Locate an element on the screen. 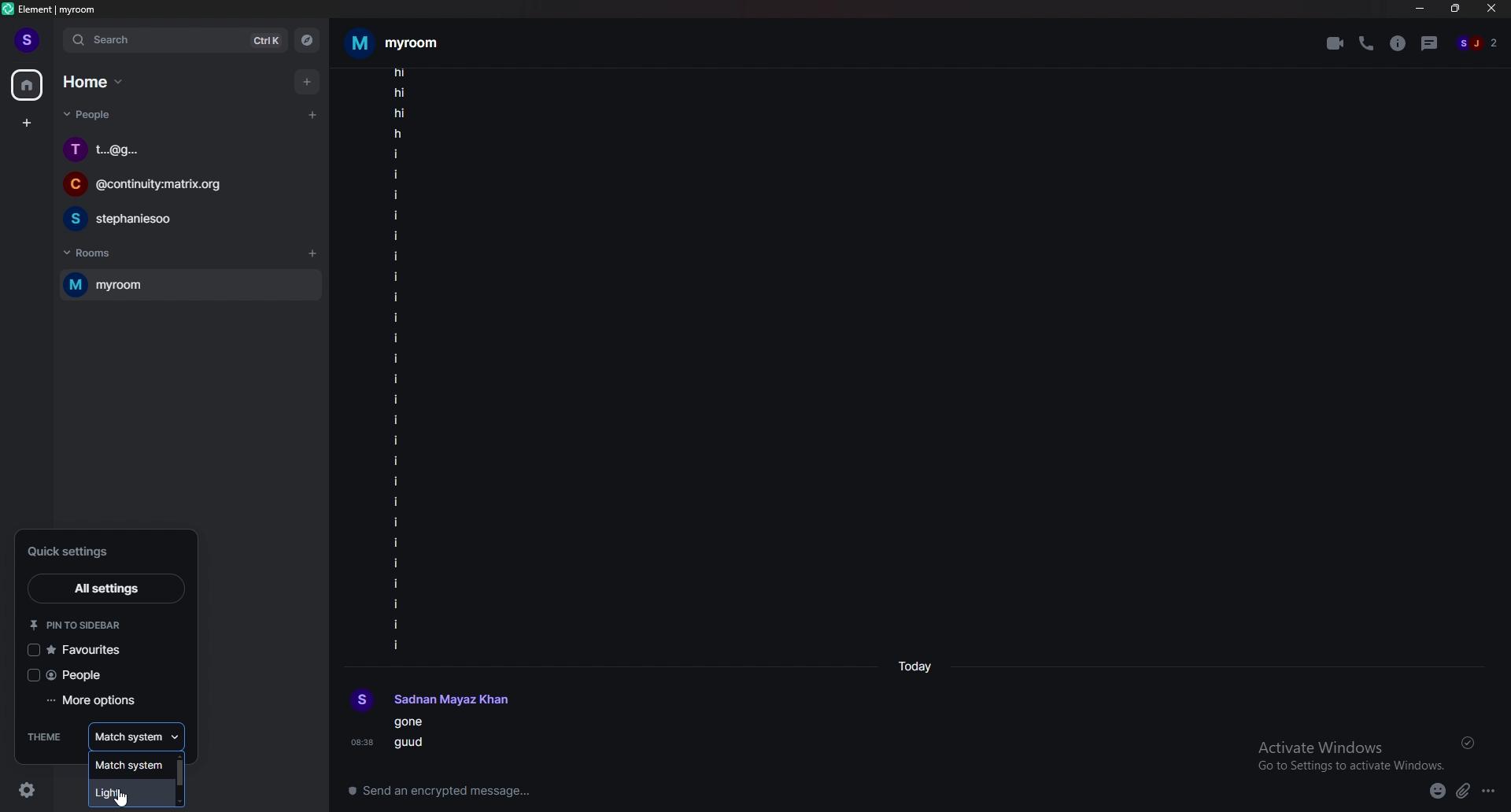  chat is located at coordinates (174, 183).